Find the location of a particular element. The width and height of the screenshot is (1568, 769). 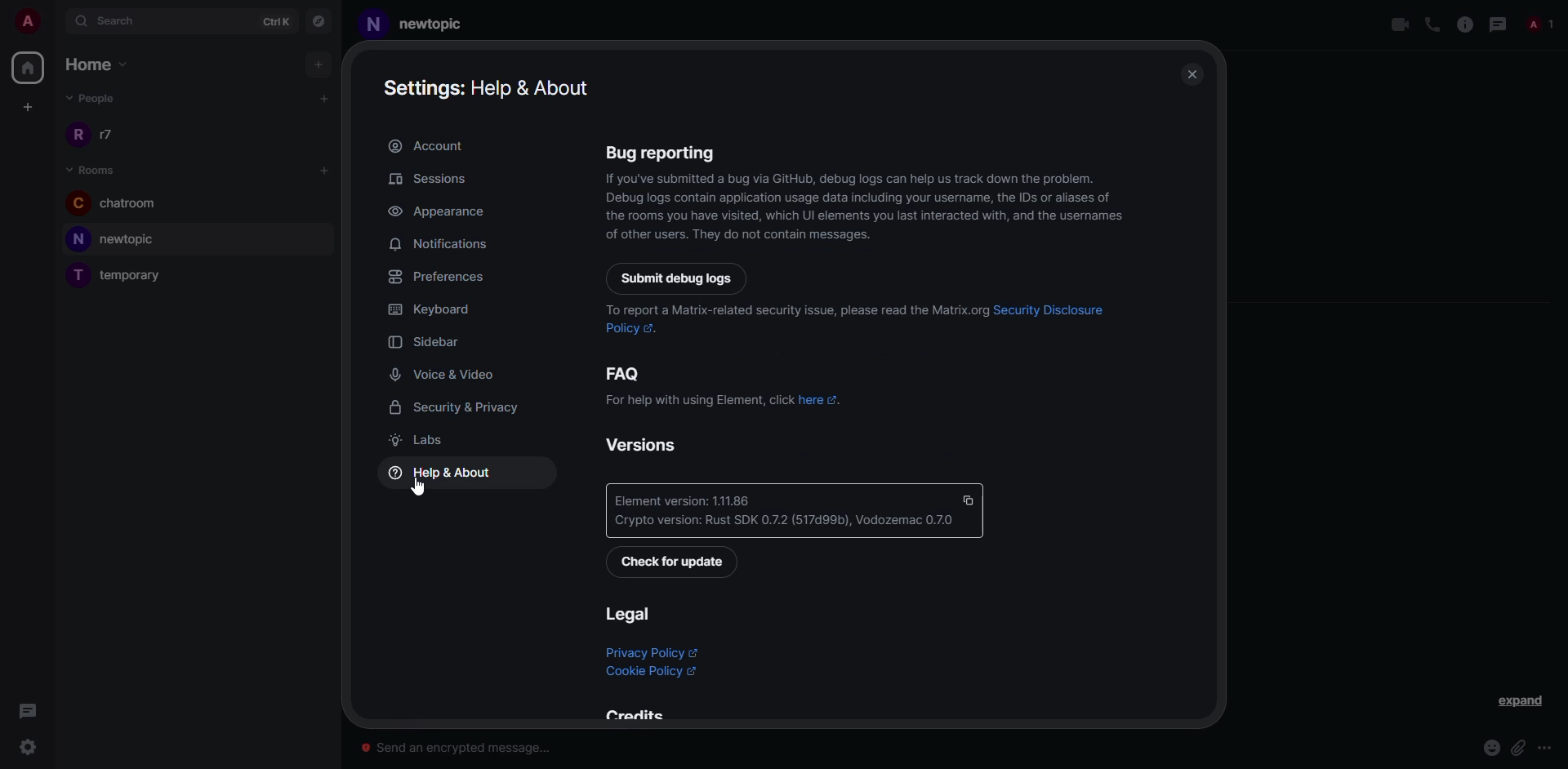

report is located at coordinates (861, 320).